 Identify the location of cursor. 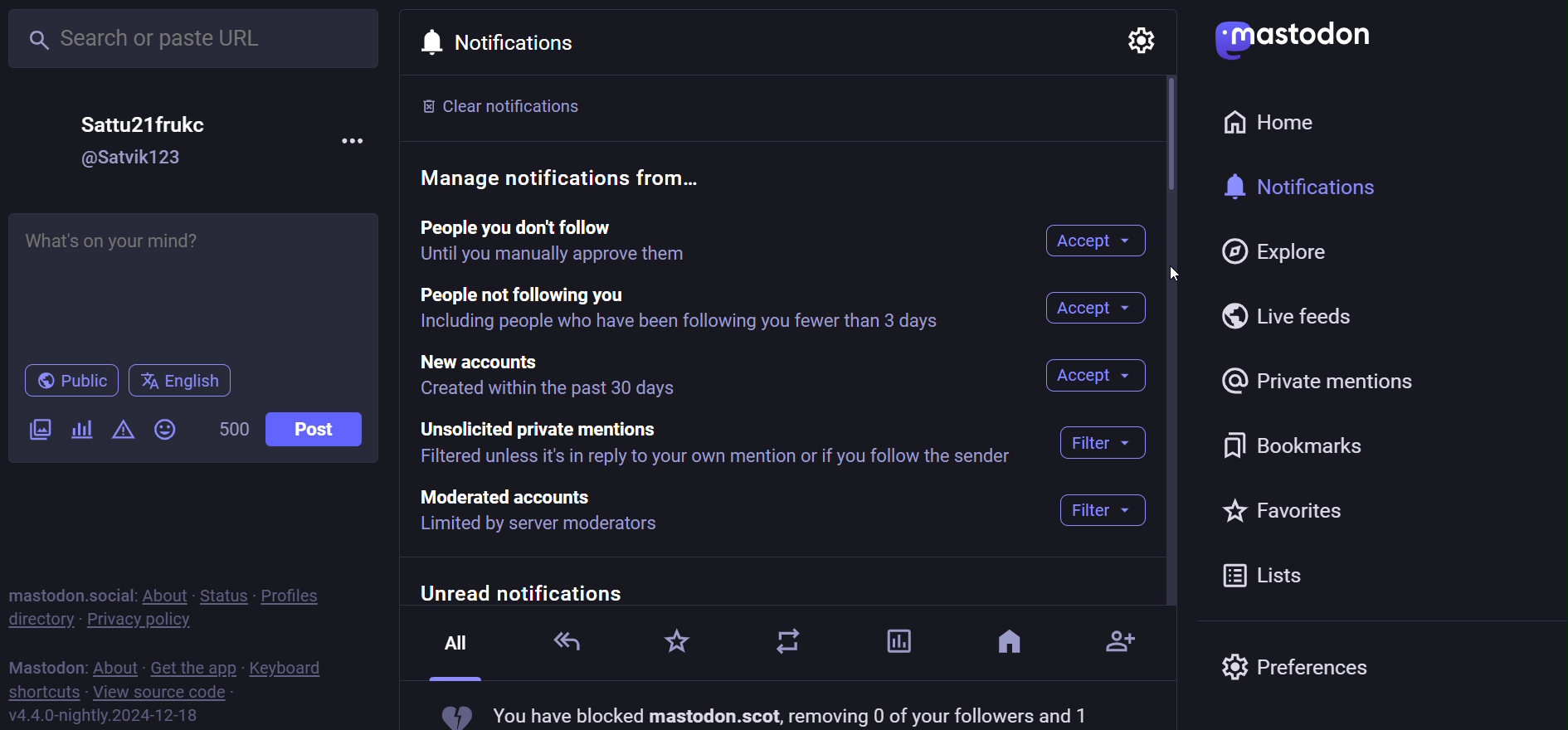
(1191, 261).